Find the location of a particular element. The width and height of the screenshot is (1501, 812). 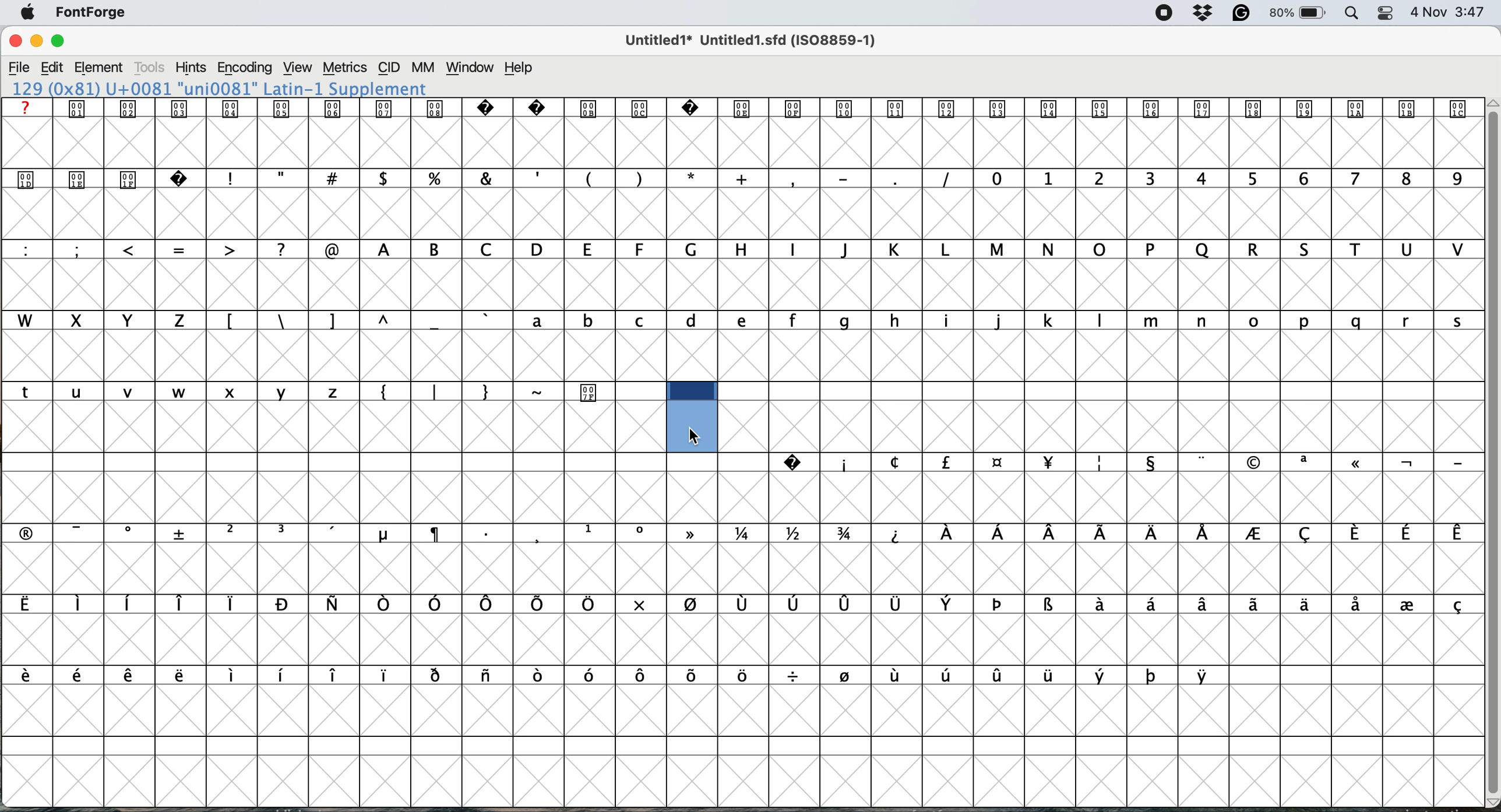

Untitled1* Untitled1.sfd (ISO8859-1) is located at coordinates (751, 40).